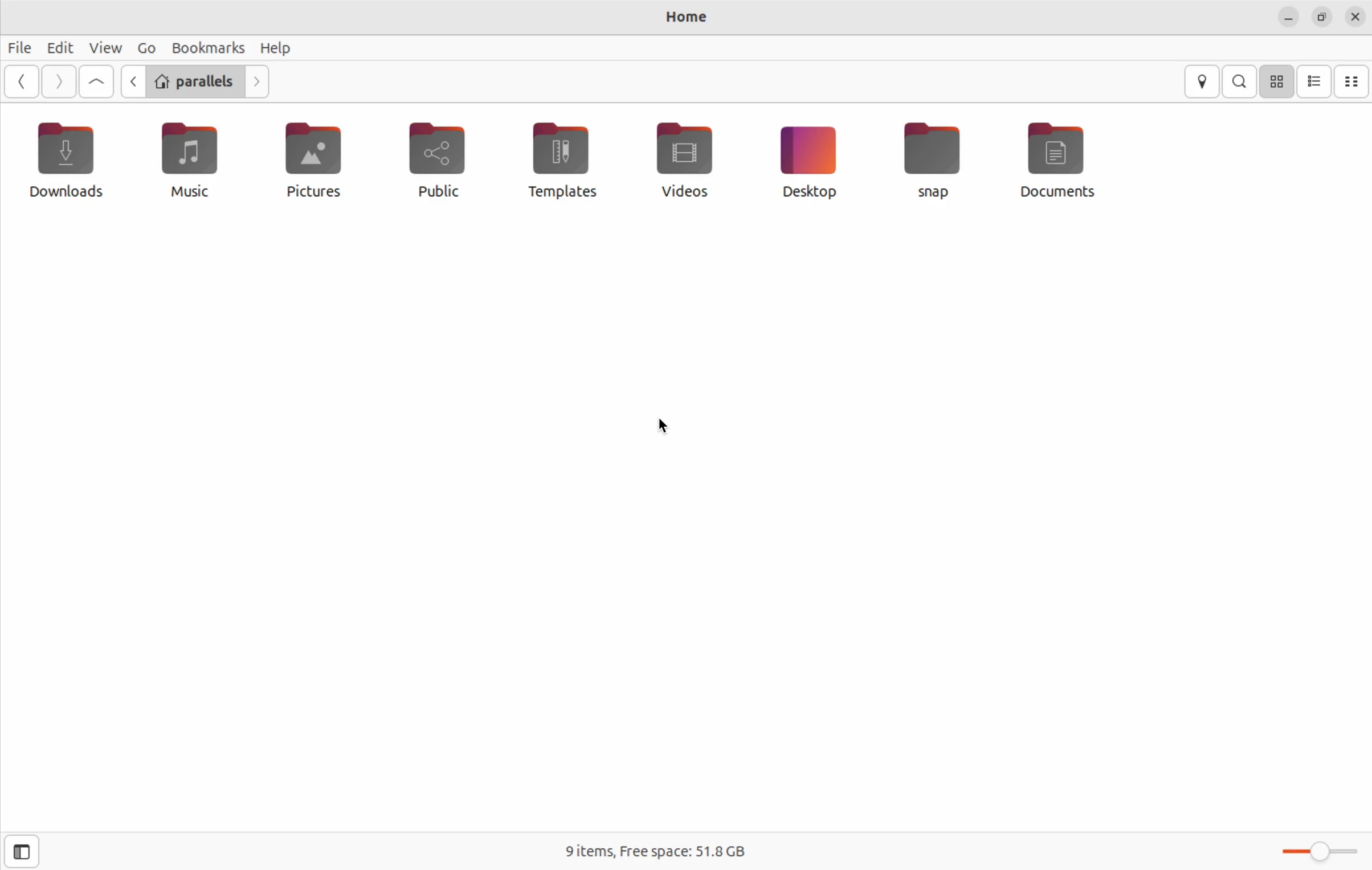  What do you see at coordinates (1062, 162) in the screenshot?
I see `documents` at bounding box center [1062, 162].